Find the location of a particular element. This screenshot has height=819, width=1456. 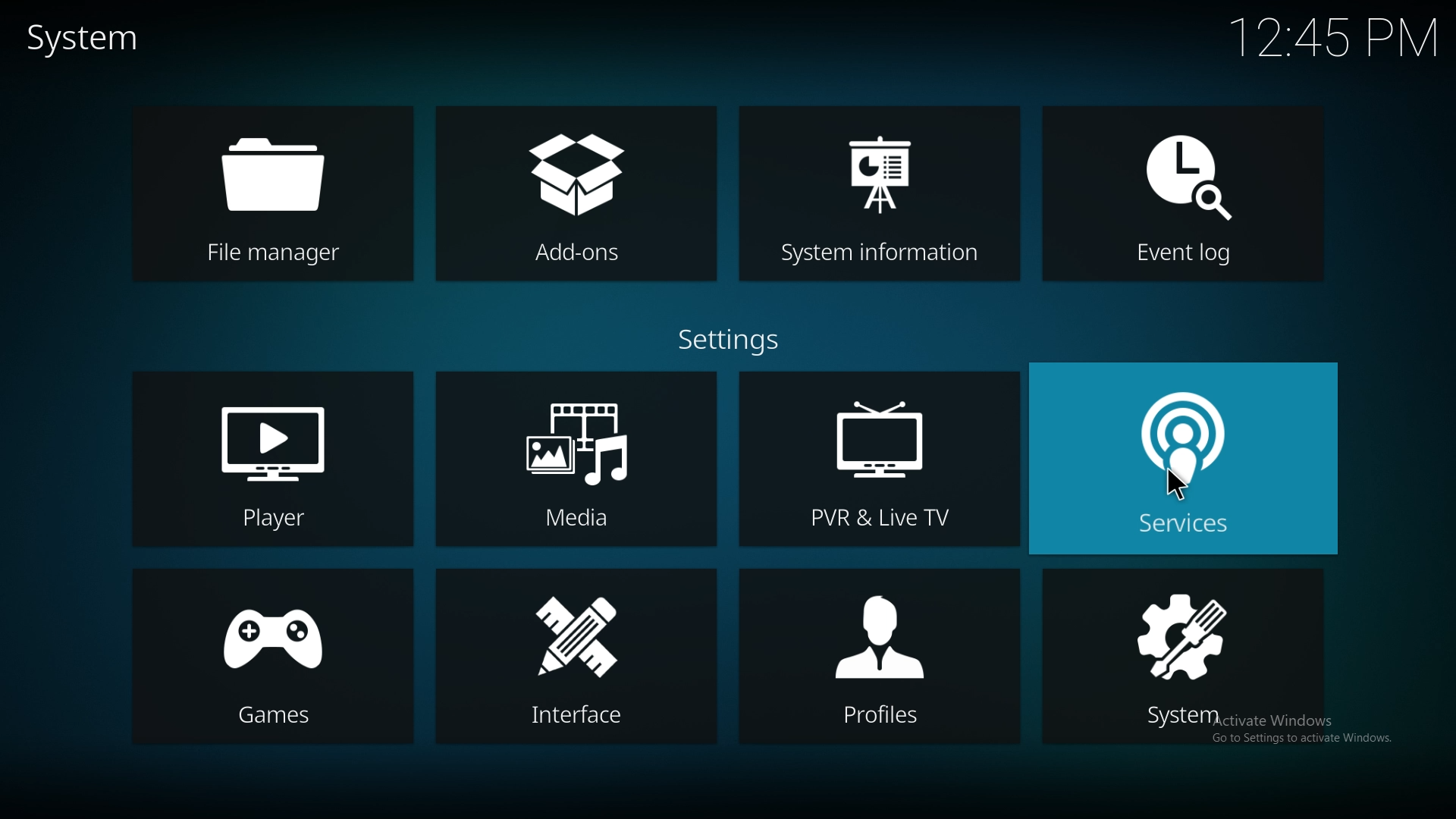

player is located at coordinates (274, 461).